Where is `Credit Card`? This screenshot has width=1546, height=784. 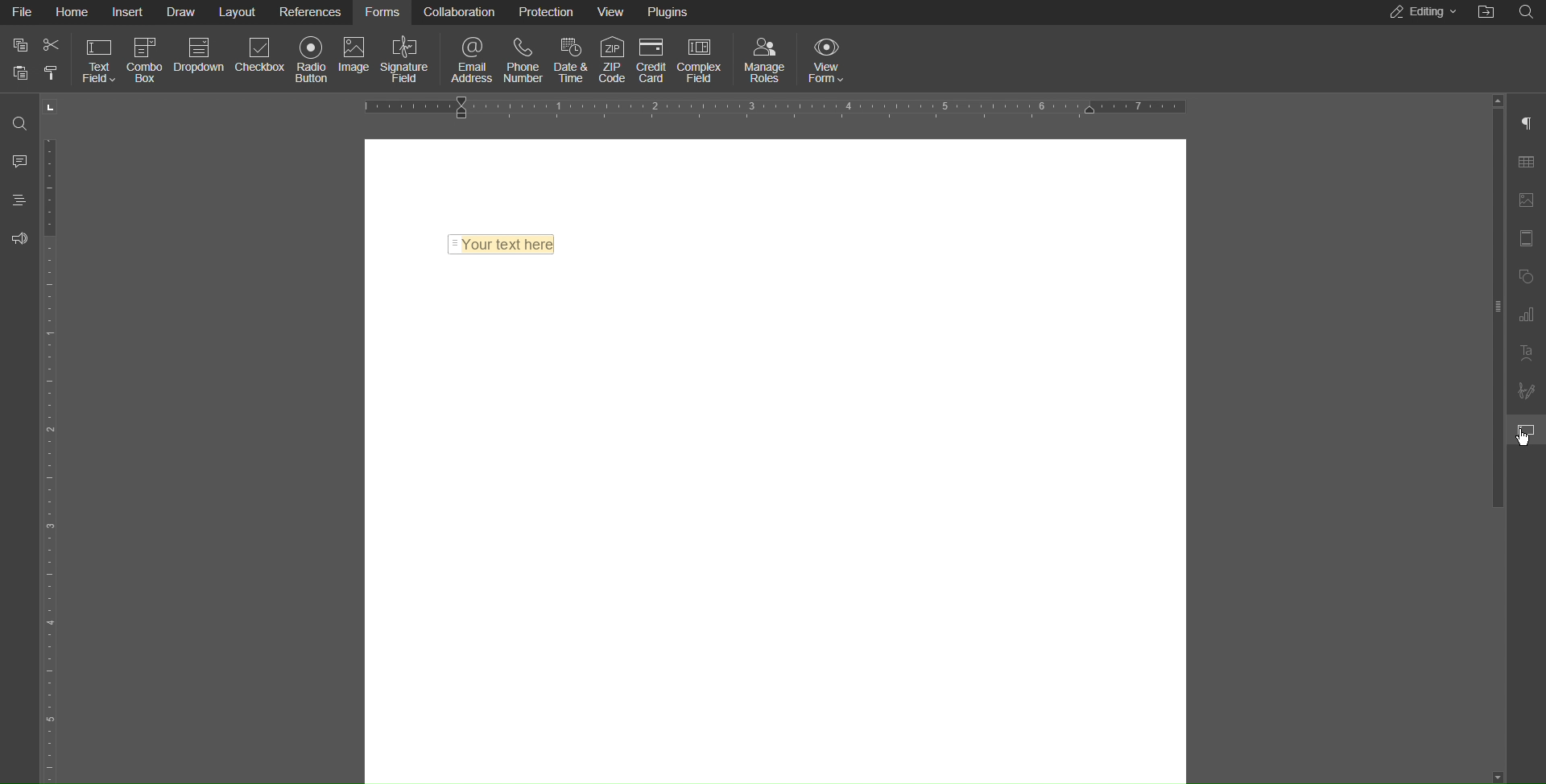
Credit Card is located at coordinates (653, 59).